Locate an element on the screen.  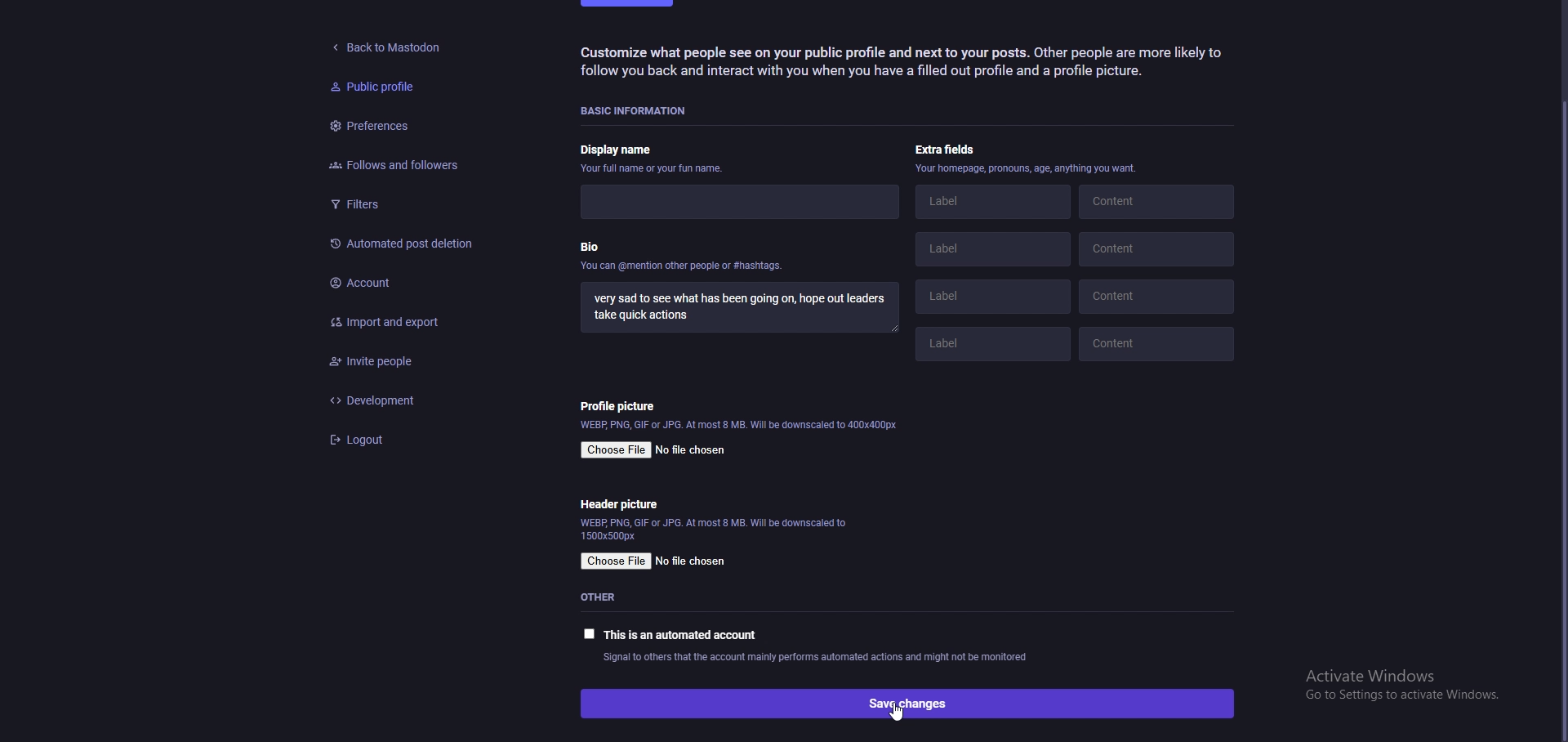
bio is located at coordinates (741, 310).